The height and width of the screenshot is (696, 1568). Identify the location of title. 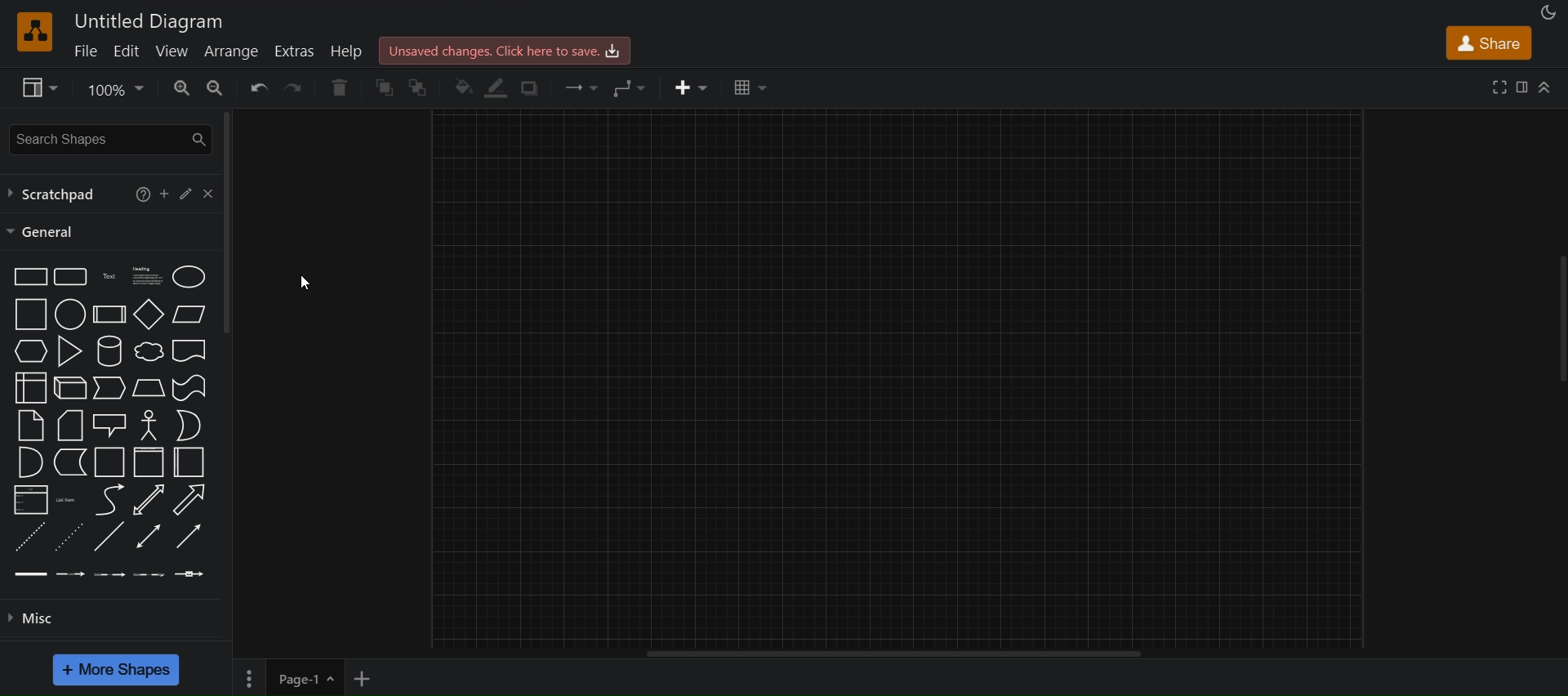
(150, 21).